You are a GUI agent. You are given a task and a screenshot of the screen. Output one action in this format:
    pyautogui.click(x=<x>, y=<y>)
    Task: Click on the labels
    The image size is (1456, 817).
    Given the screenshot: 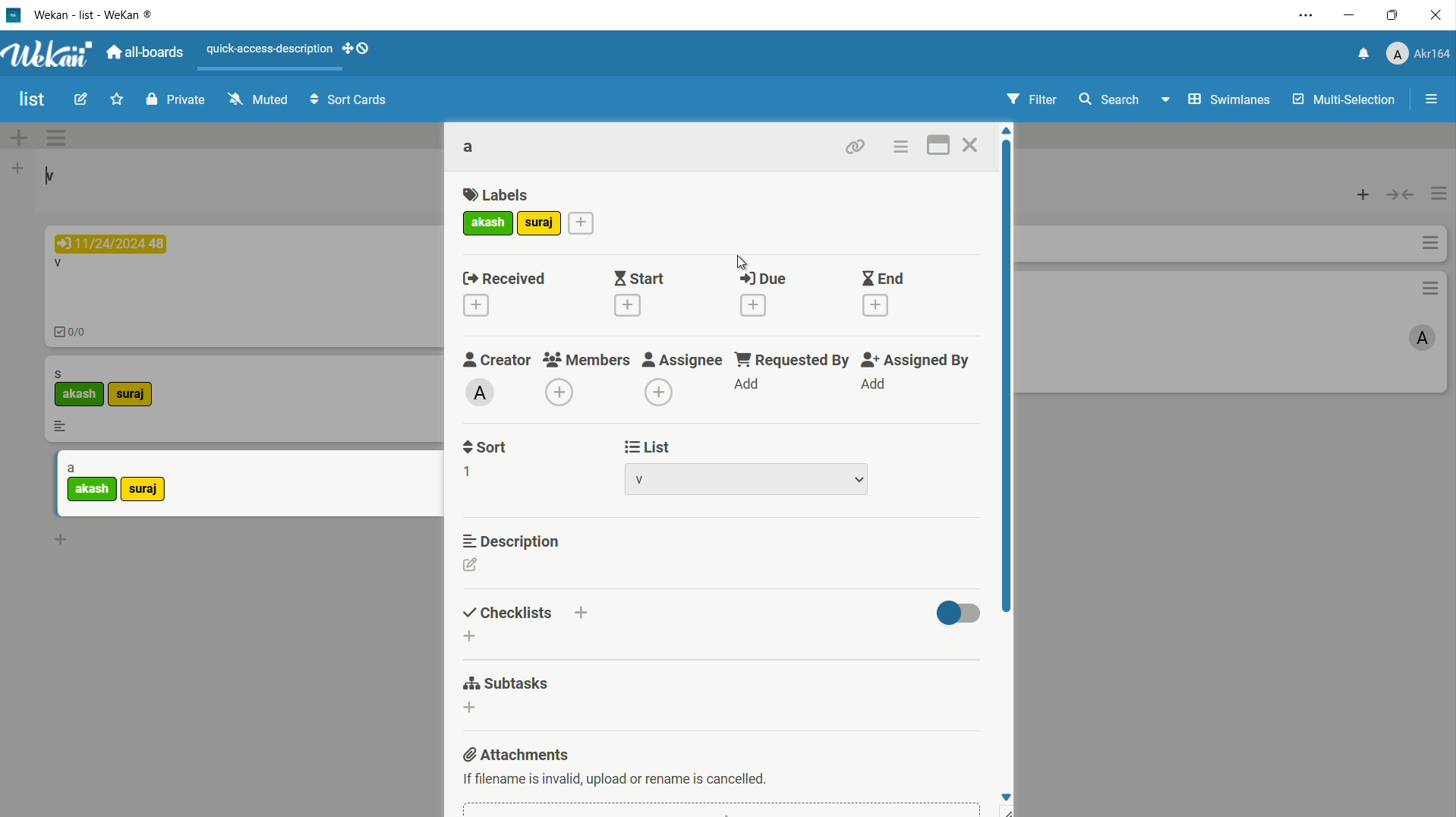 What is the action you would take?
    pyautogui.click(x=496, y=195)
    